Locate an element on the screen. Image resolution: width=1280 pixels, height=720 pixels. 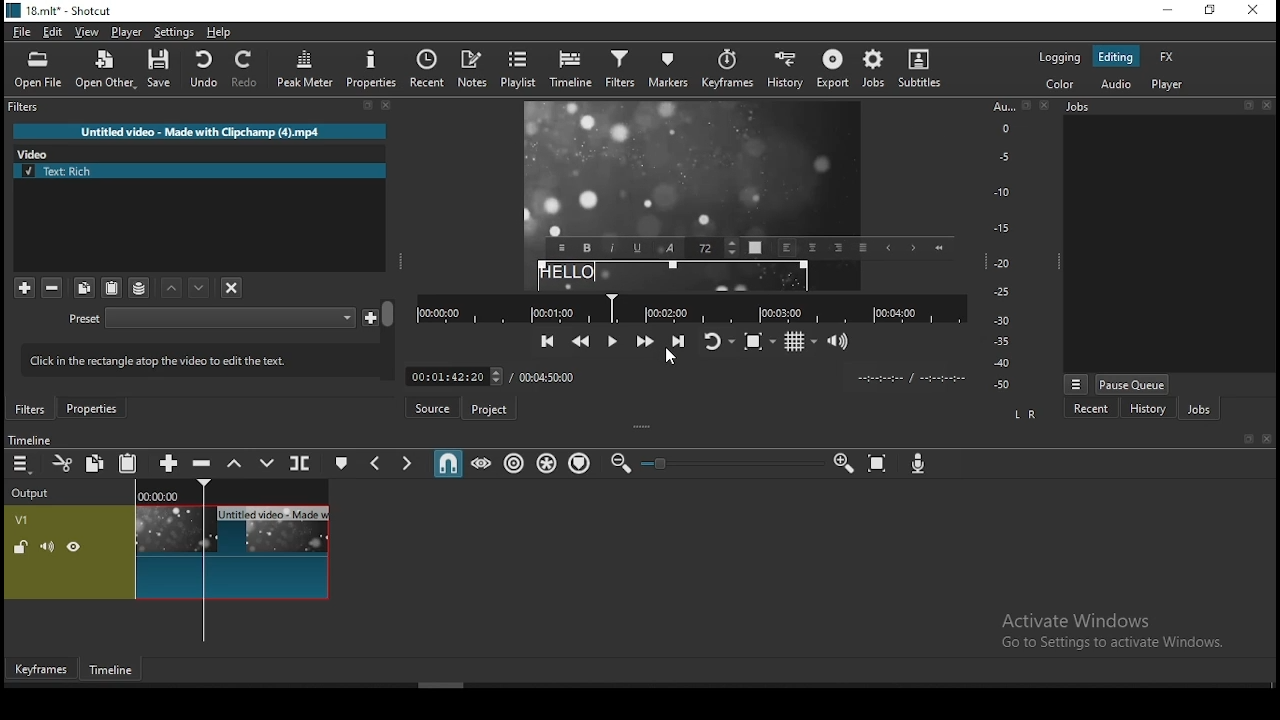
color is located at coordinates (1059, 86).